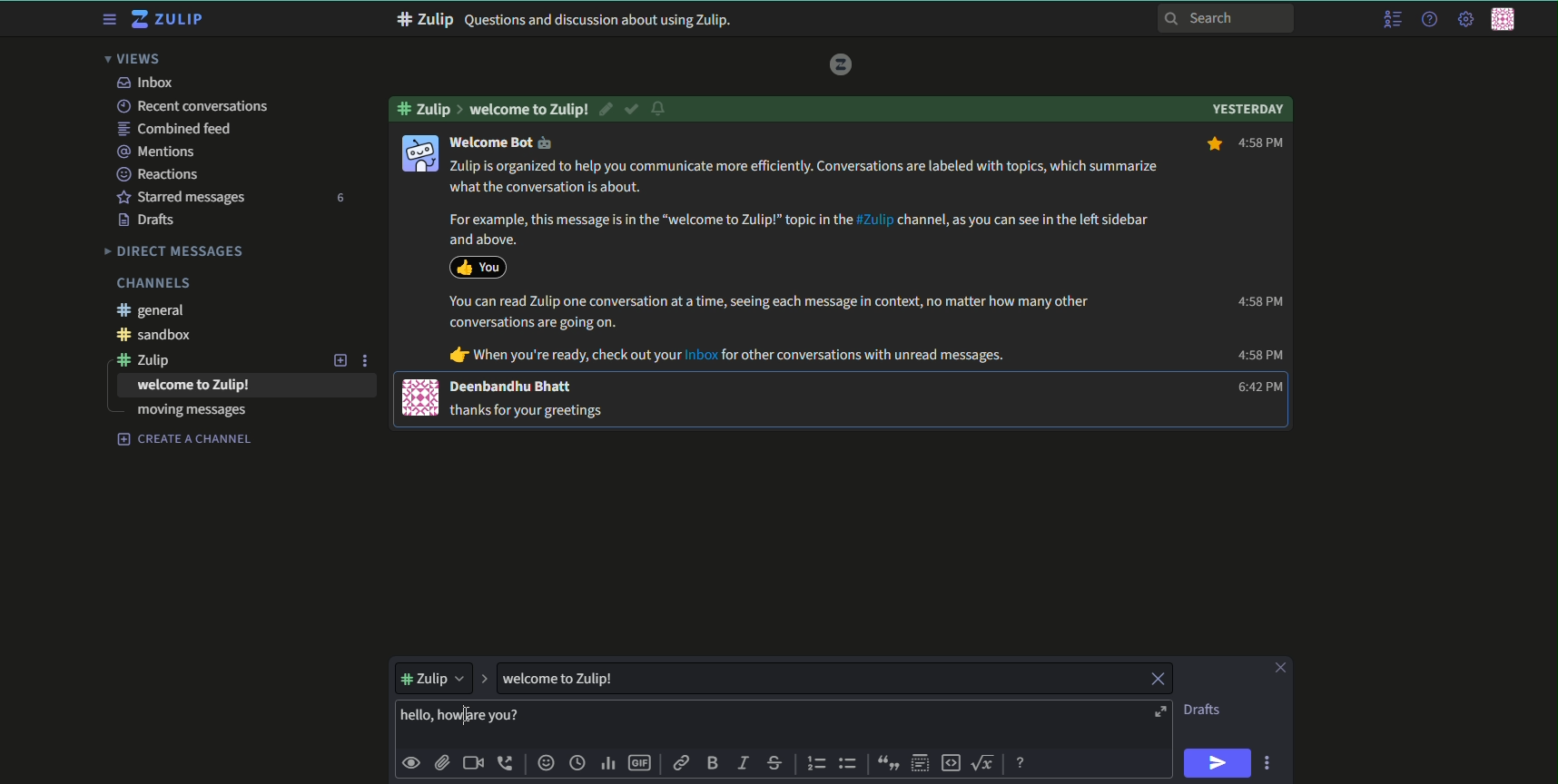 This screenshot has width=1558, height=784. I want to click on #zulip, so click(153, 359).